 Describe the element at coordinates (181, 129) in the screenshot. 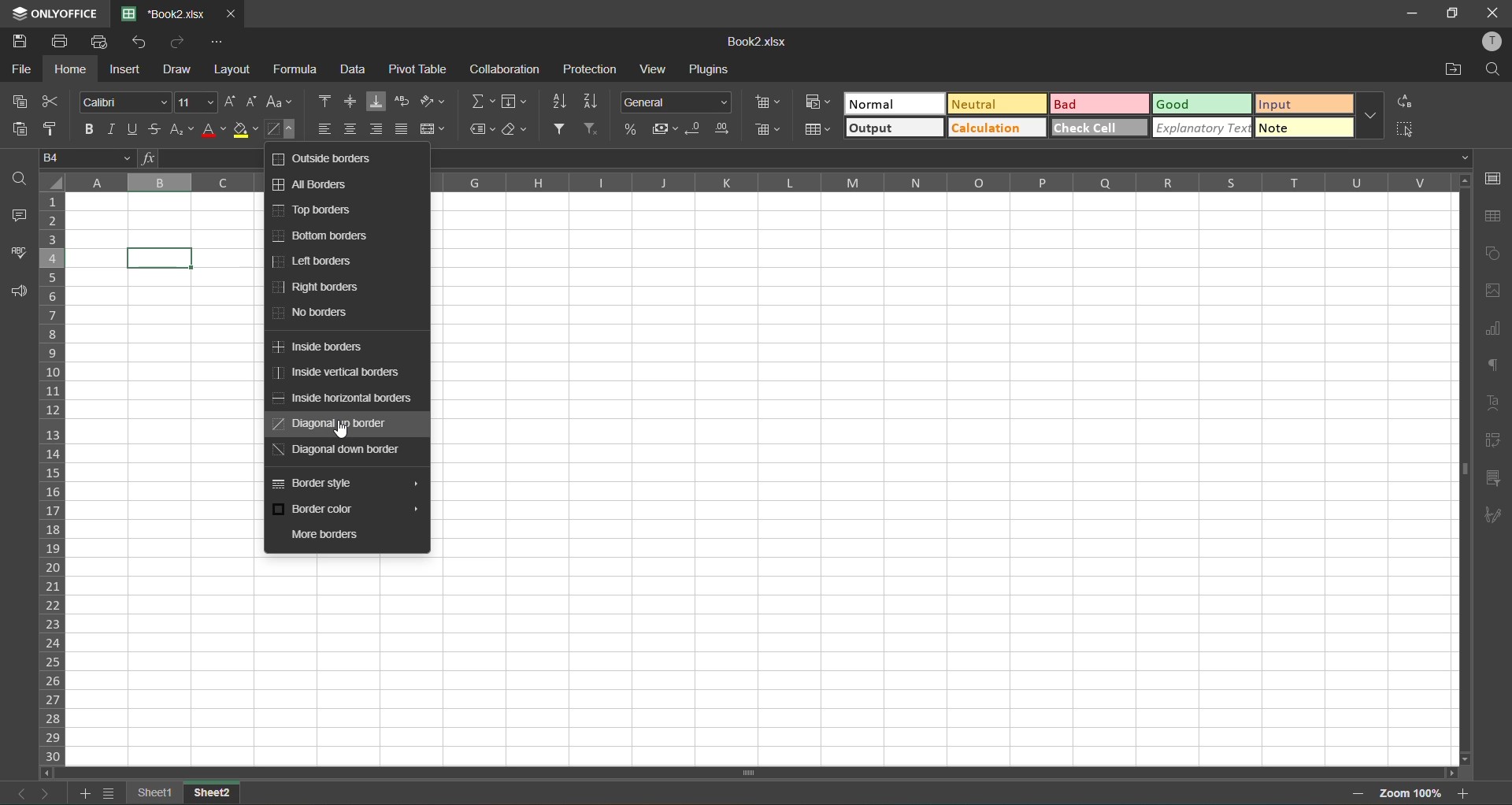

I see `sub/superscripts` at that location.